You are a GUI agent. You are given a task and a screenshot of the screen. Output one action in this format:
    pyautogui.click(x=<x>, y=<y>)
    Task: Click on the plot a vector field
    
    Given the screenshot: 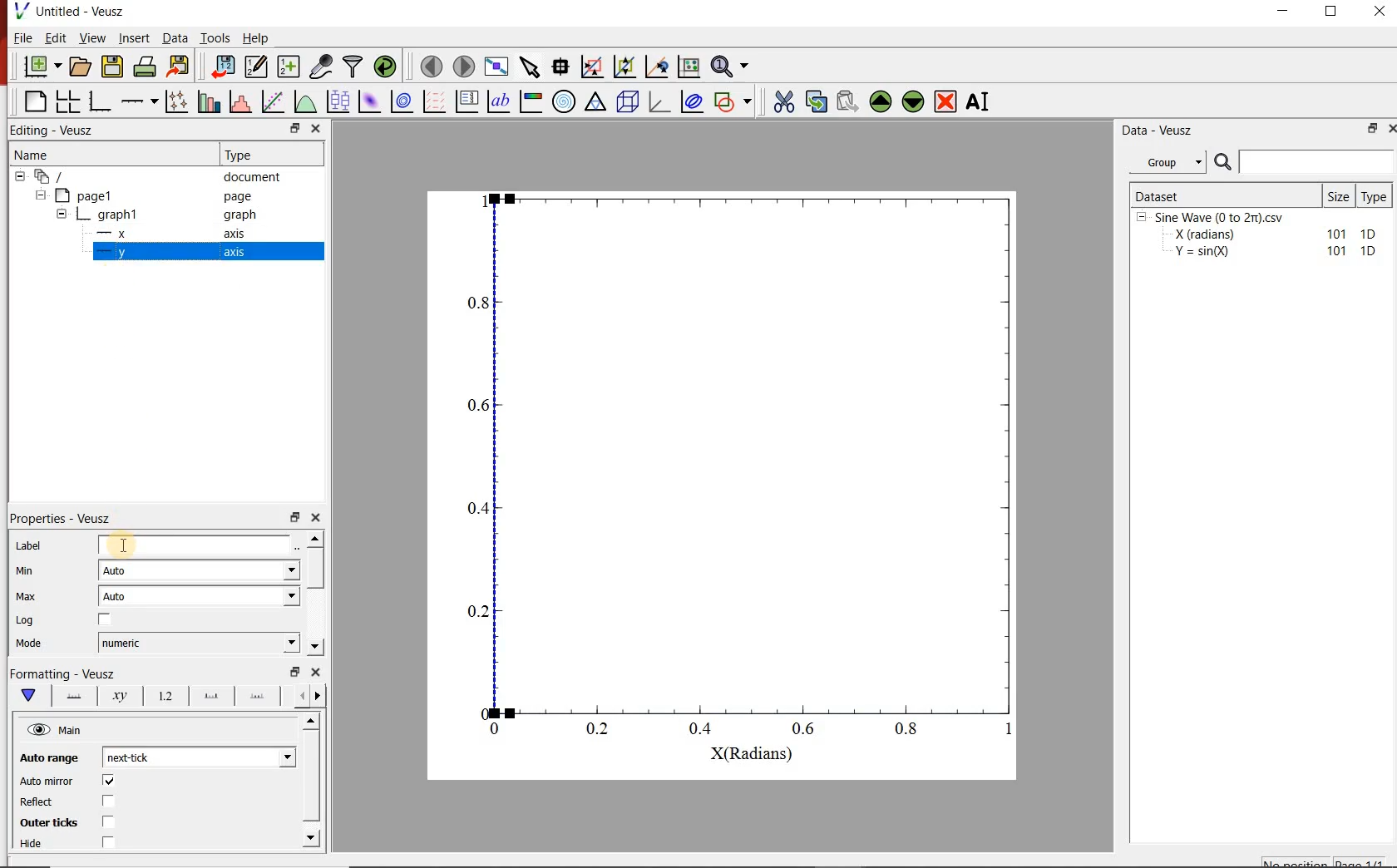 What is the action you would take?
    pyautogui.click(x=435, y=101)
    